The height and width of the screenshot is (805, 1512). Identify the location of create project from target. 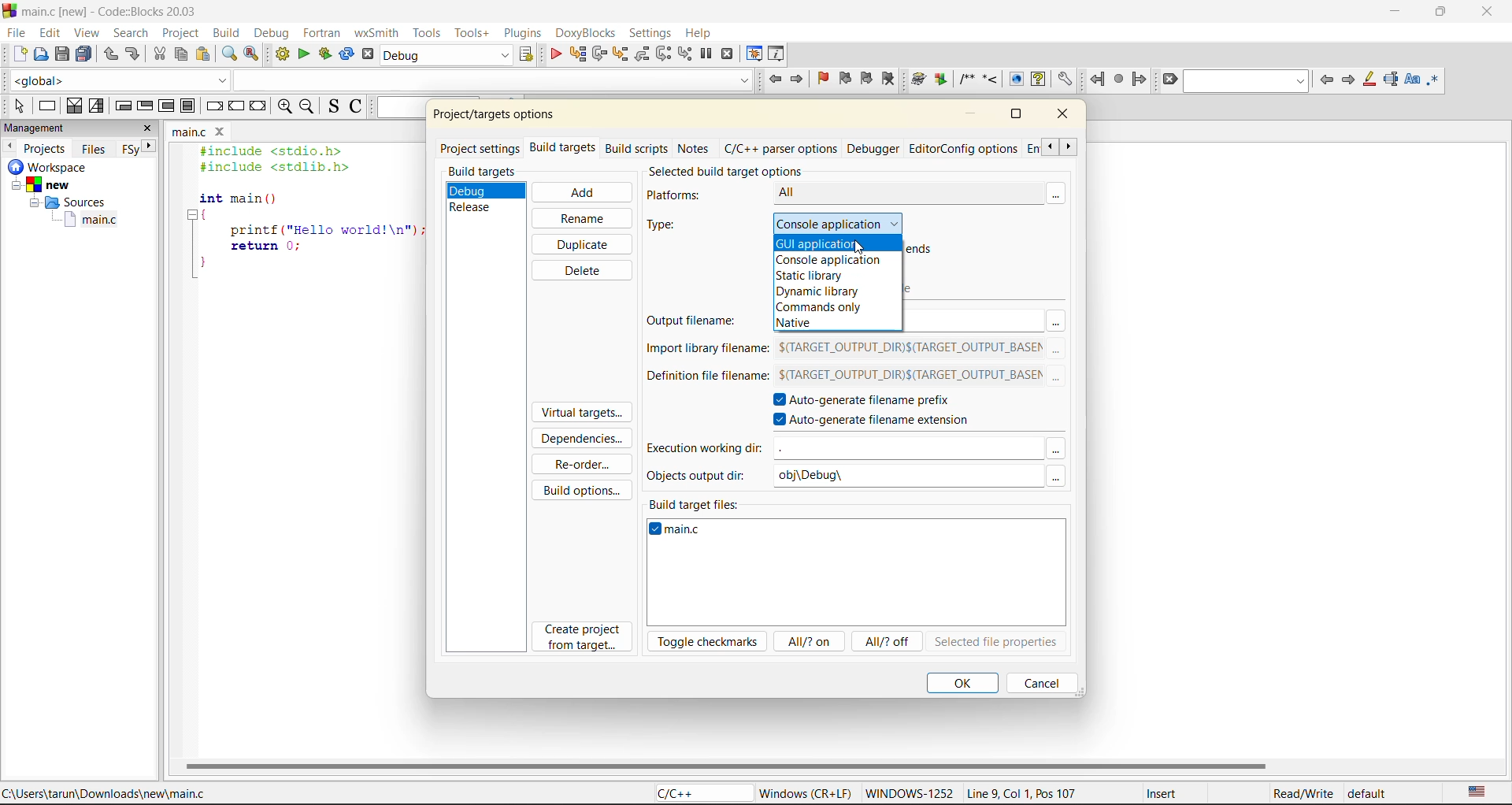
(587, 637).